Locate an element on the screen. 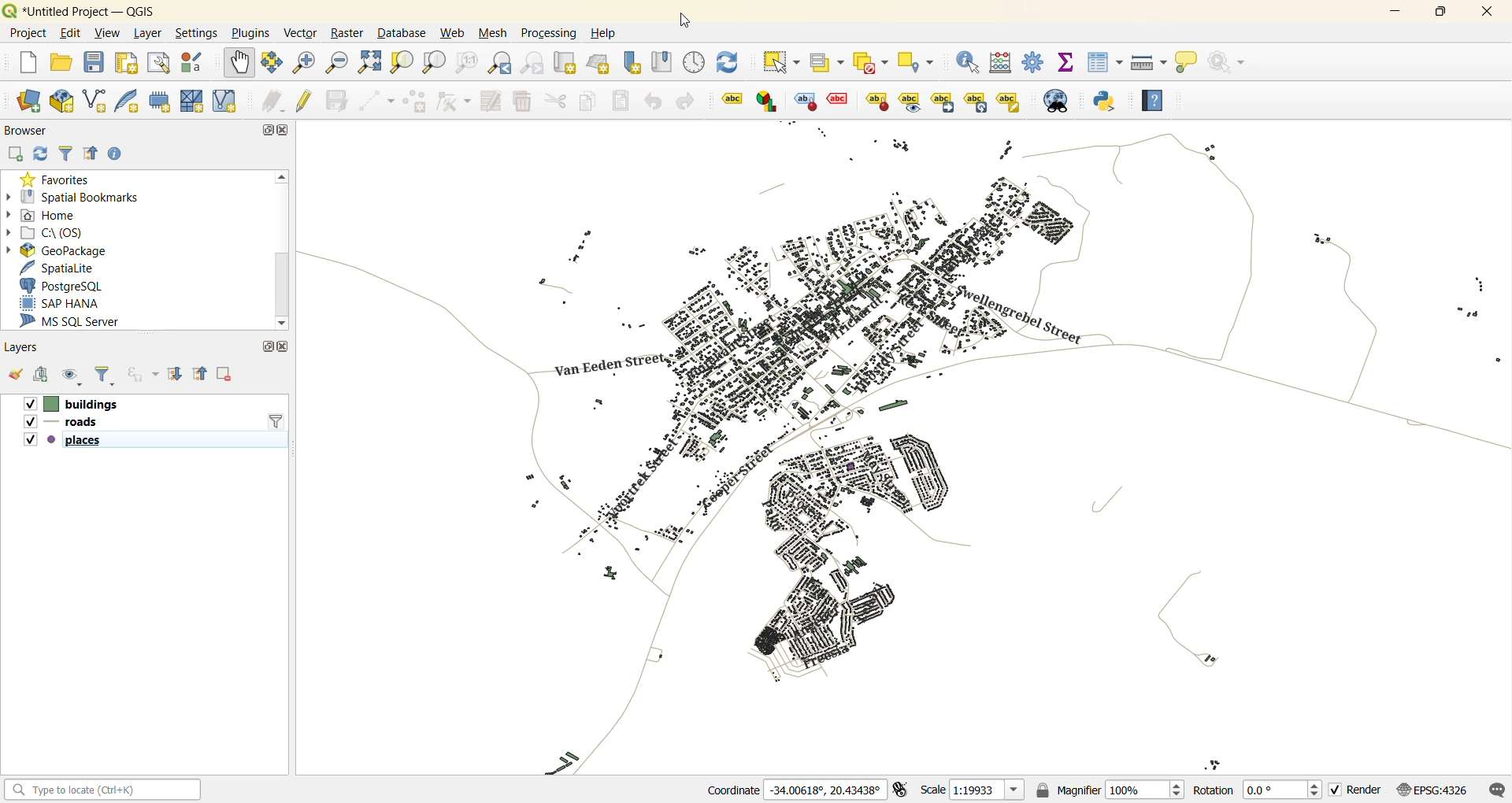 The image size is (1512, 803). toggle display of unplaced labels is located at coordinates (838, 98).